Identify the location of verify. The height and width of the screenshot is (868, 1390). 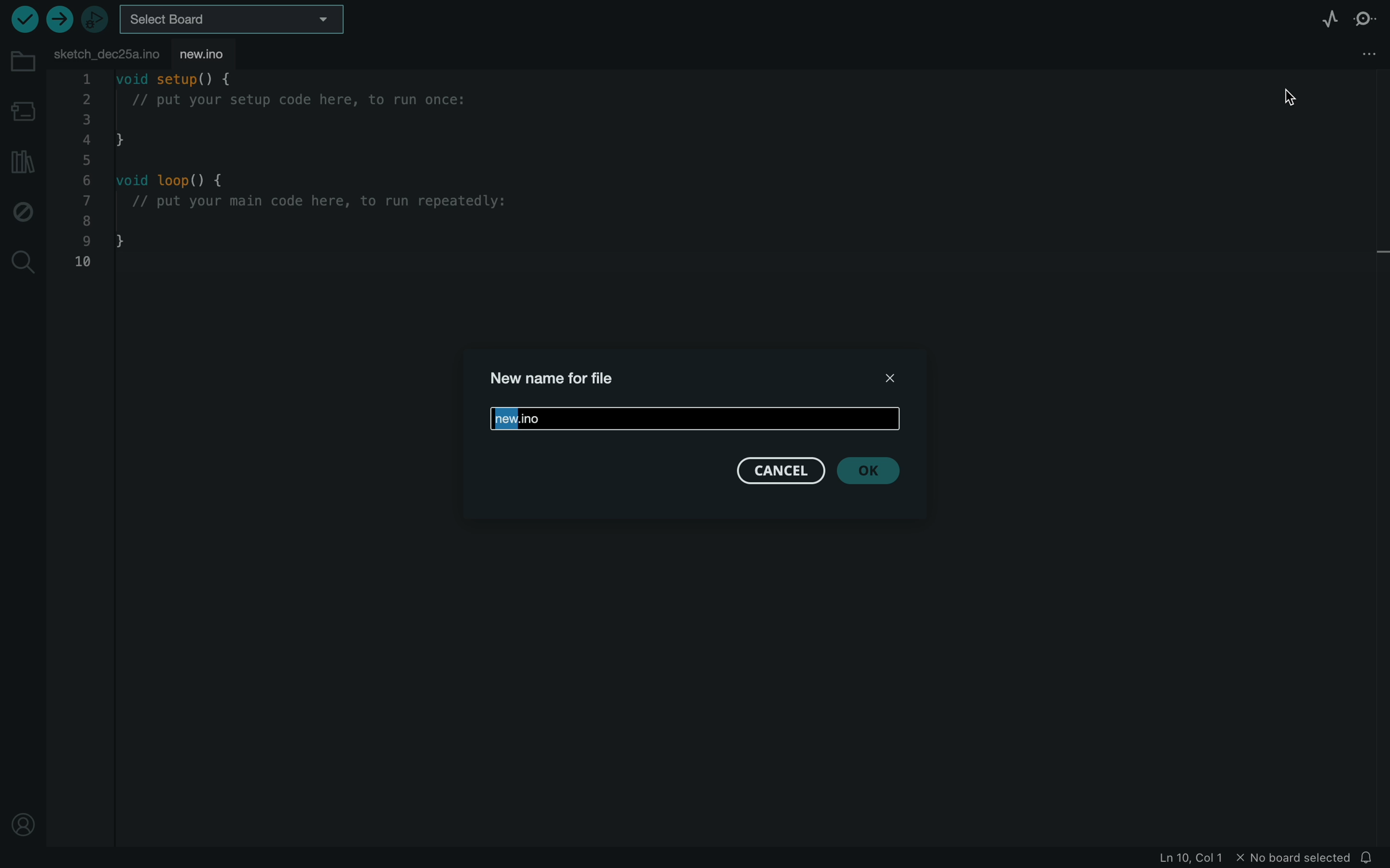
(22, 20).